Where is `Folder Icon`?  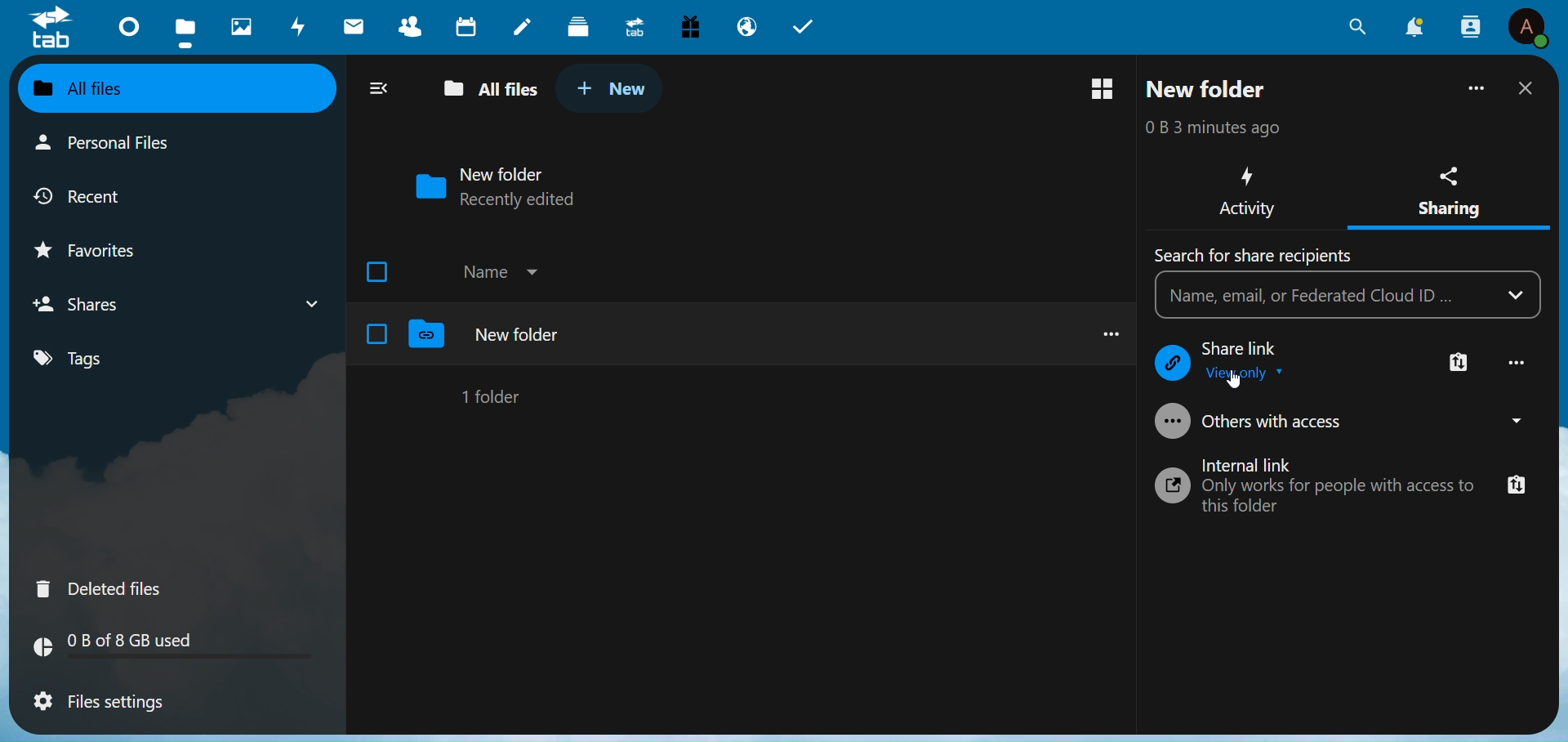
Folder Icon is located at coordinates (426, 186).